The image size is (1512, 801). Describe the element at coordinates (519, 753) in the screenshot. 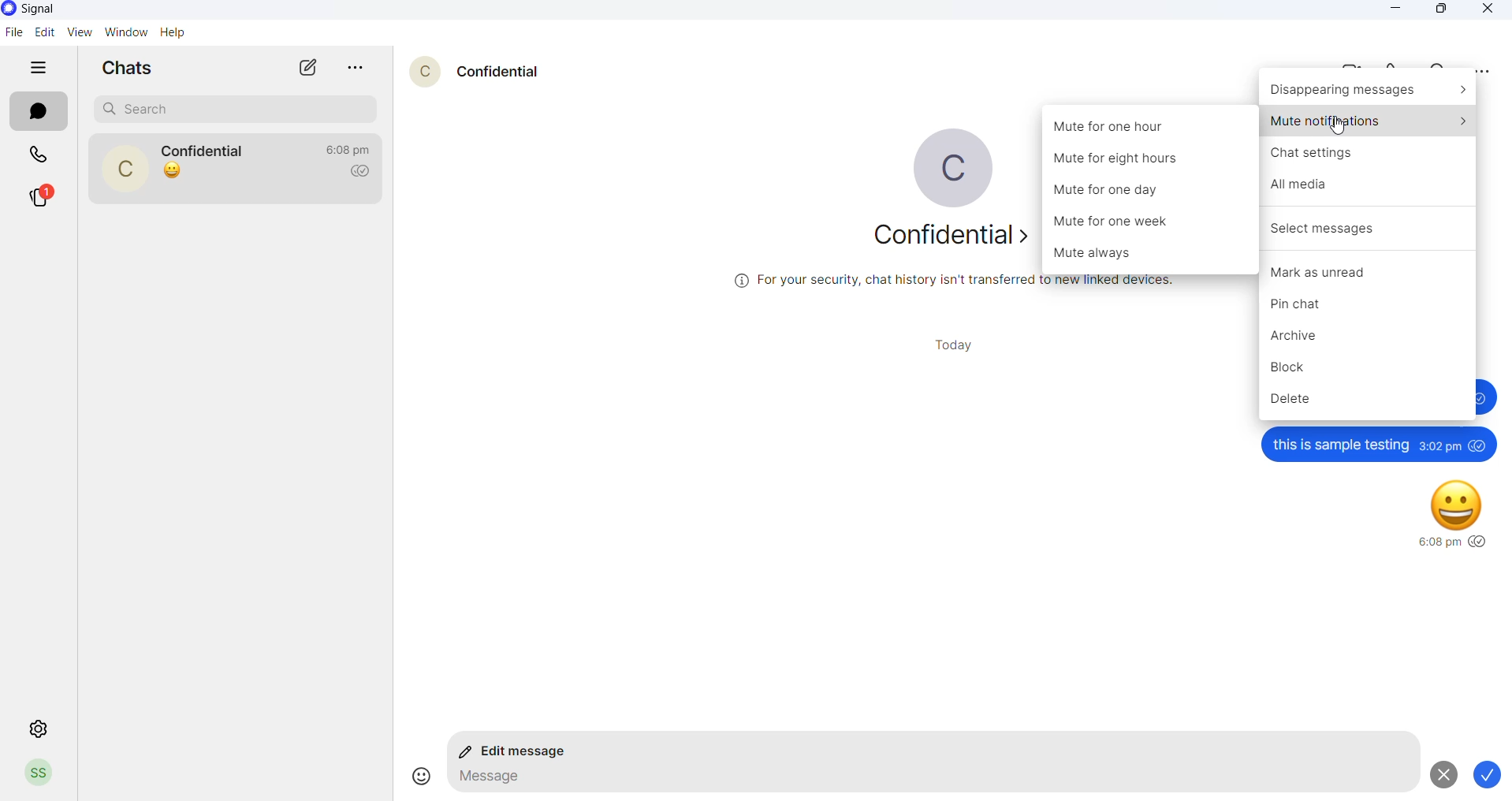

I see `edit message` at that location.